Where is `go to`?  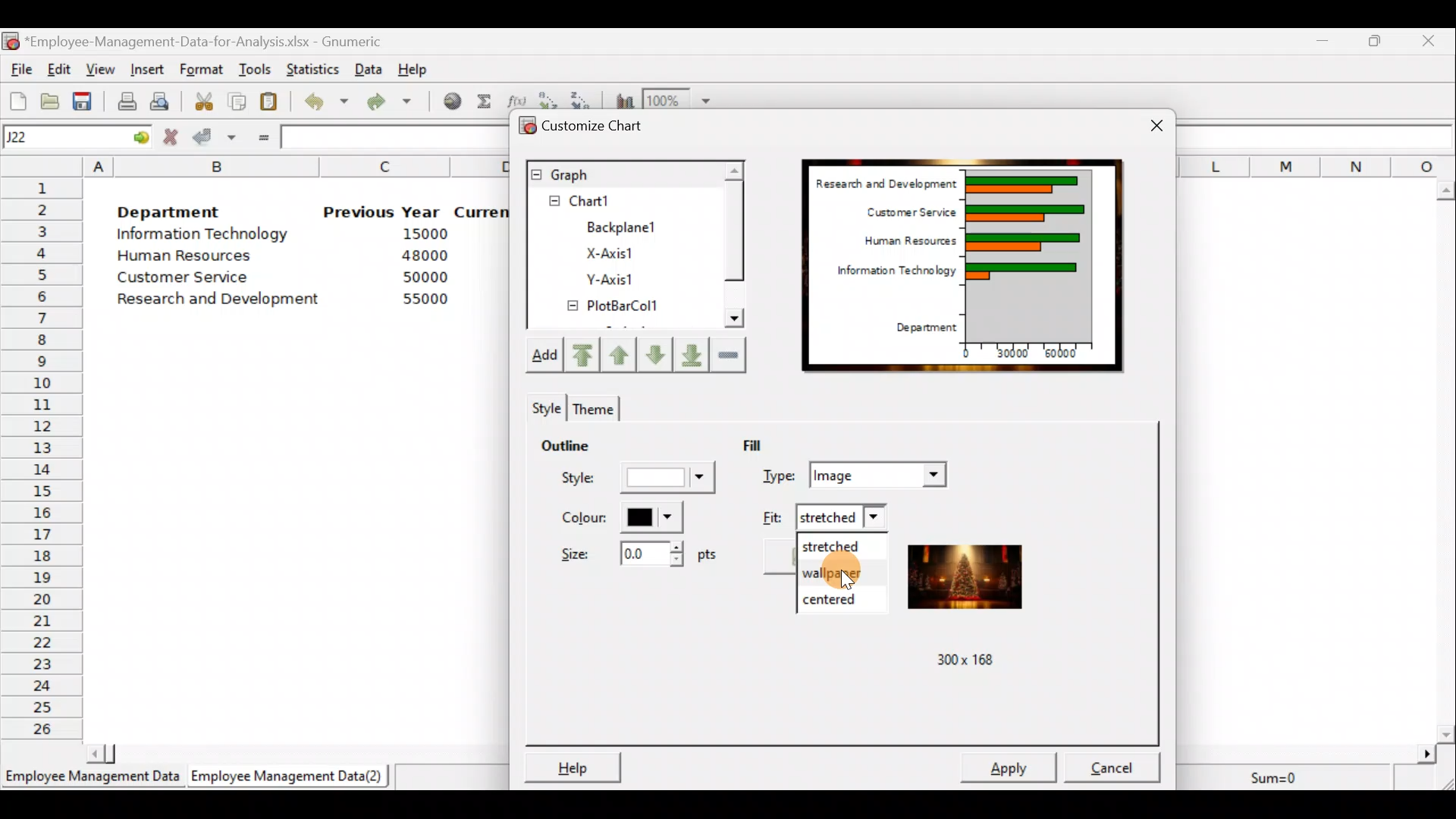
go to is located at coordinates (140, 137).